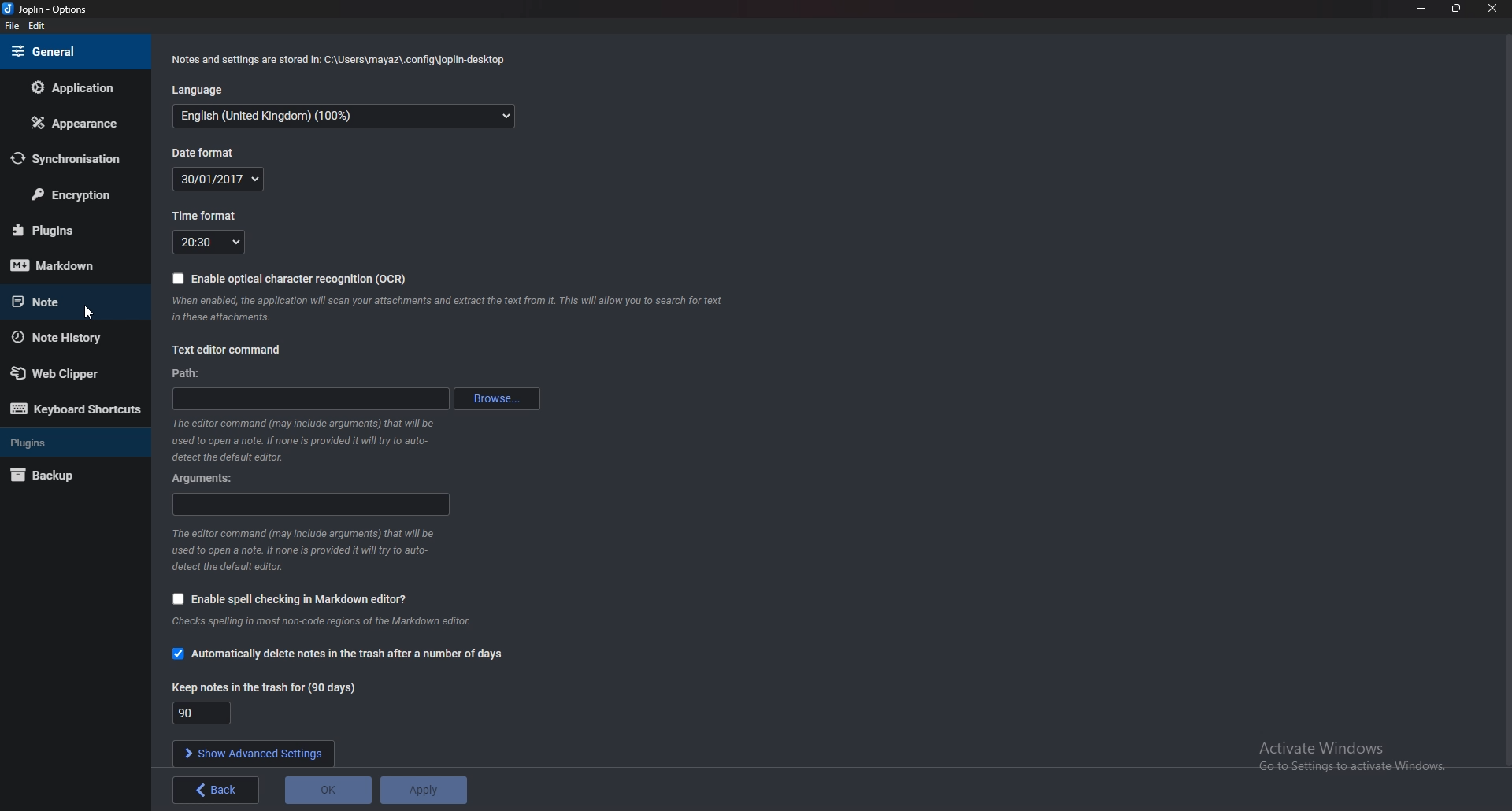 The height and width of the screenshot is (811, 1512). What do you see at coordinates (213, 480) in the screenshot?
I see `Arguments` at bounding box center [213, 480].